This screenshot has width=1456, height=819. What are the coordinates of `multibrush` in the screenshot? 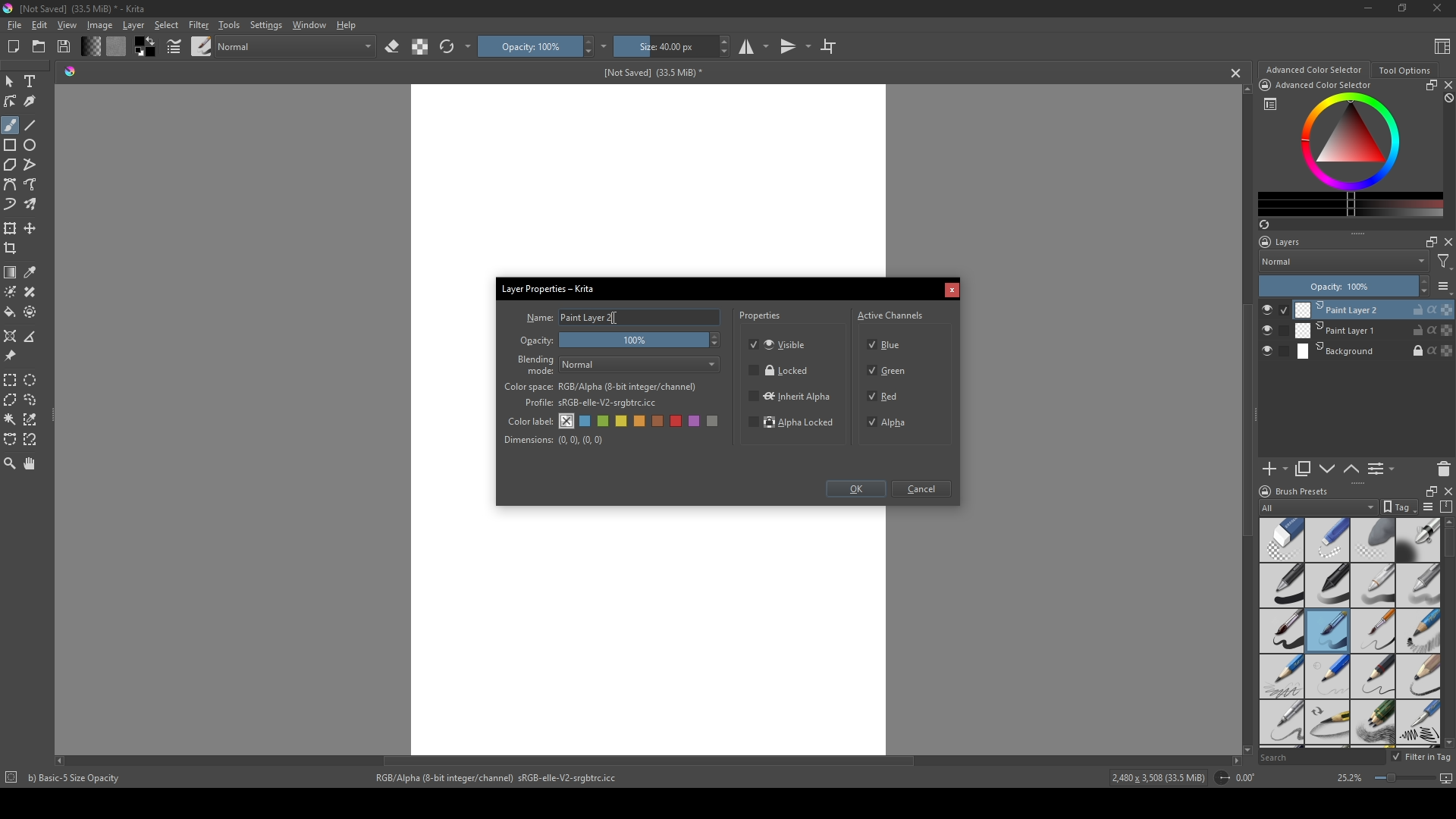 It's located at (32, 205).